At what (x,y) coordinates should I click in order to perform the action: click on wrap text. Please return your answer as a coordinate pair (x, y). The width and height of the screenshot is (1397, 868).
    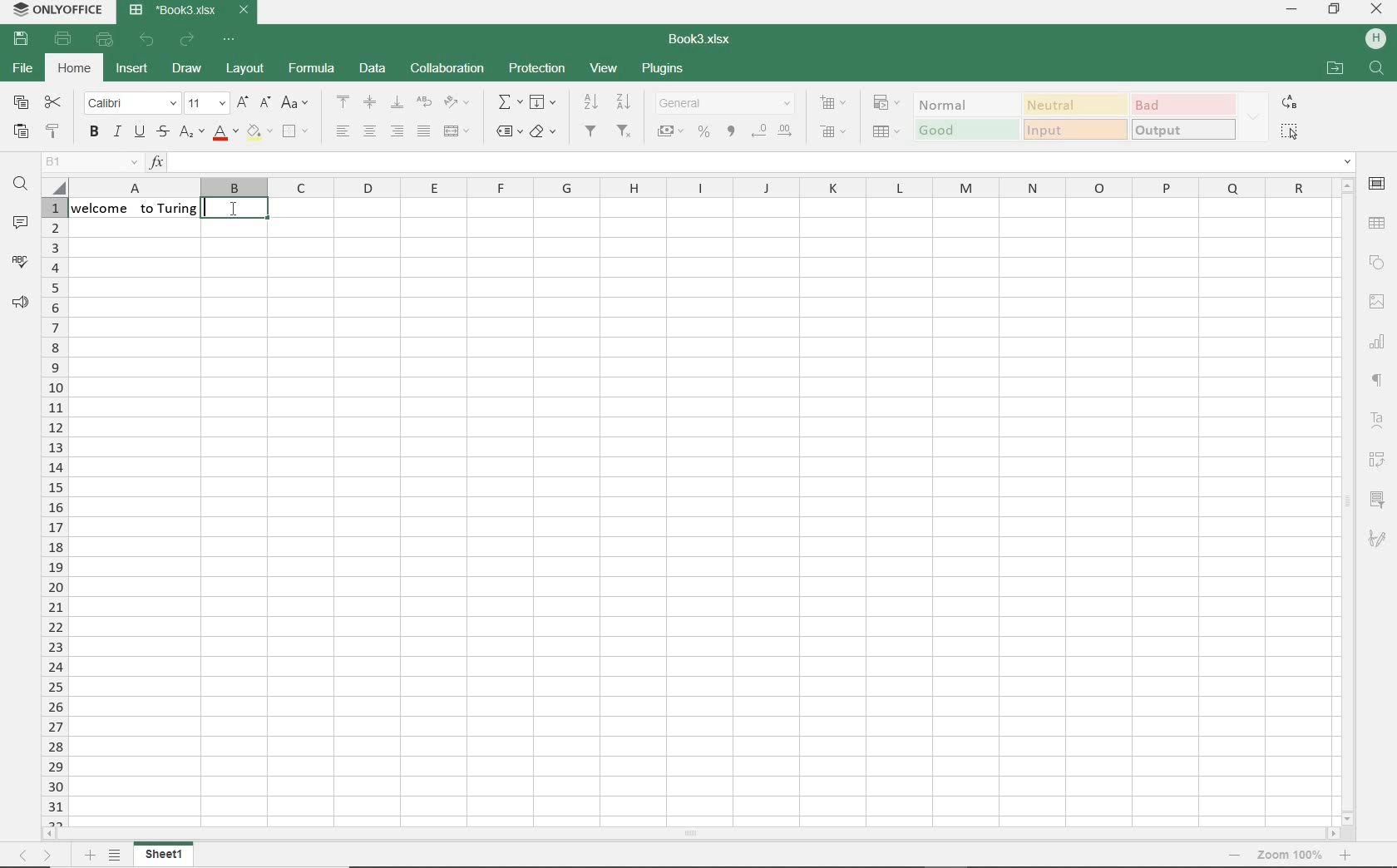
    Looking at the image, I should click on (422, 101).